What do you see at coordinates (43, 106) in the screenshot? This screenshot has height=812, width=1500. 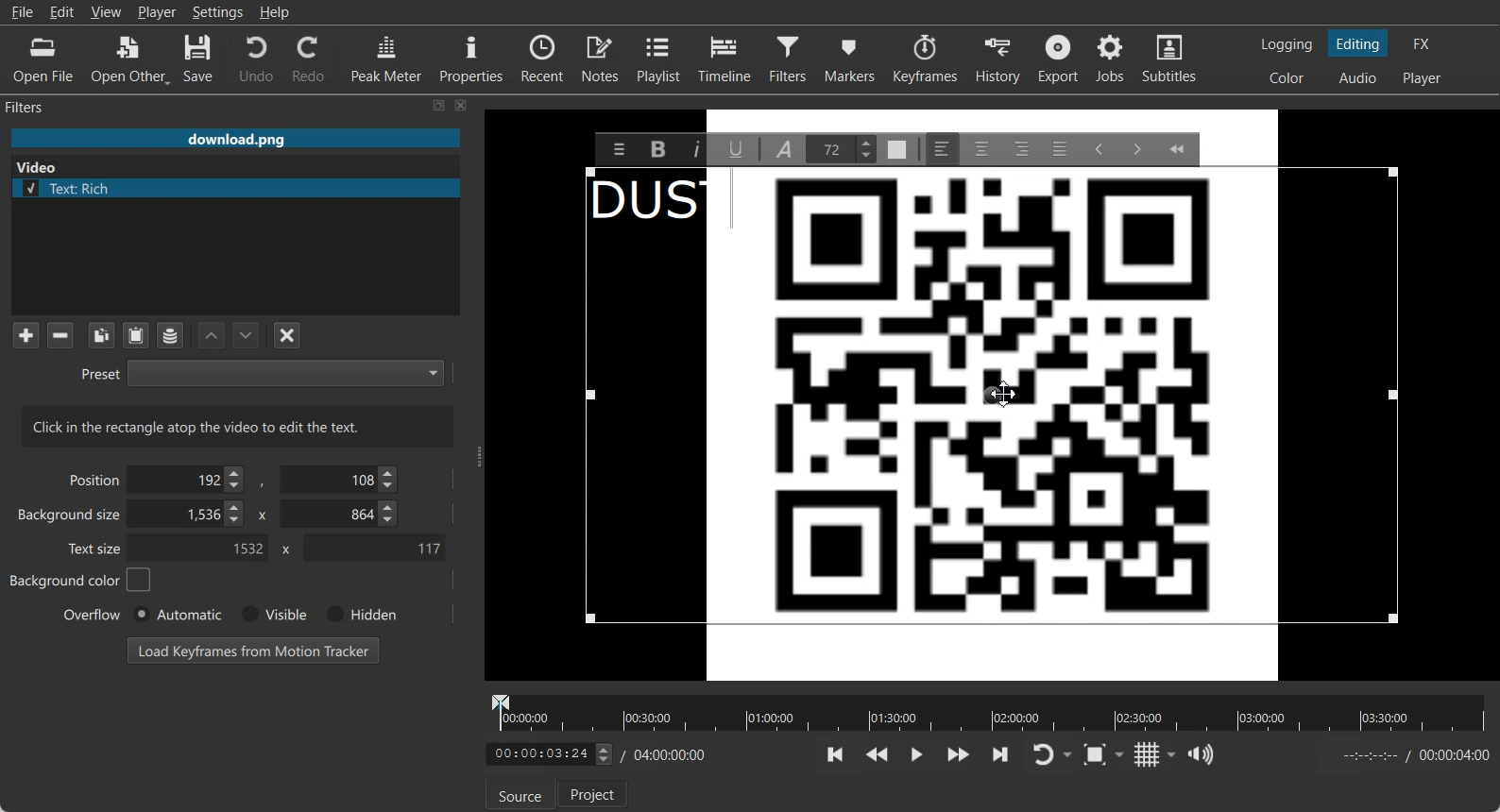 I see `Filters` at bounding box center [43, 106].